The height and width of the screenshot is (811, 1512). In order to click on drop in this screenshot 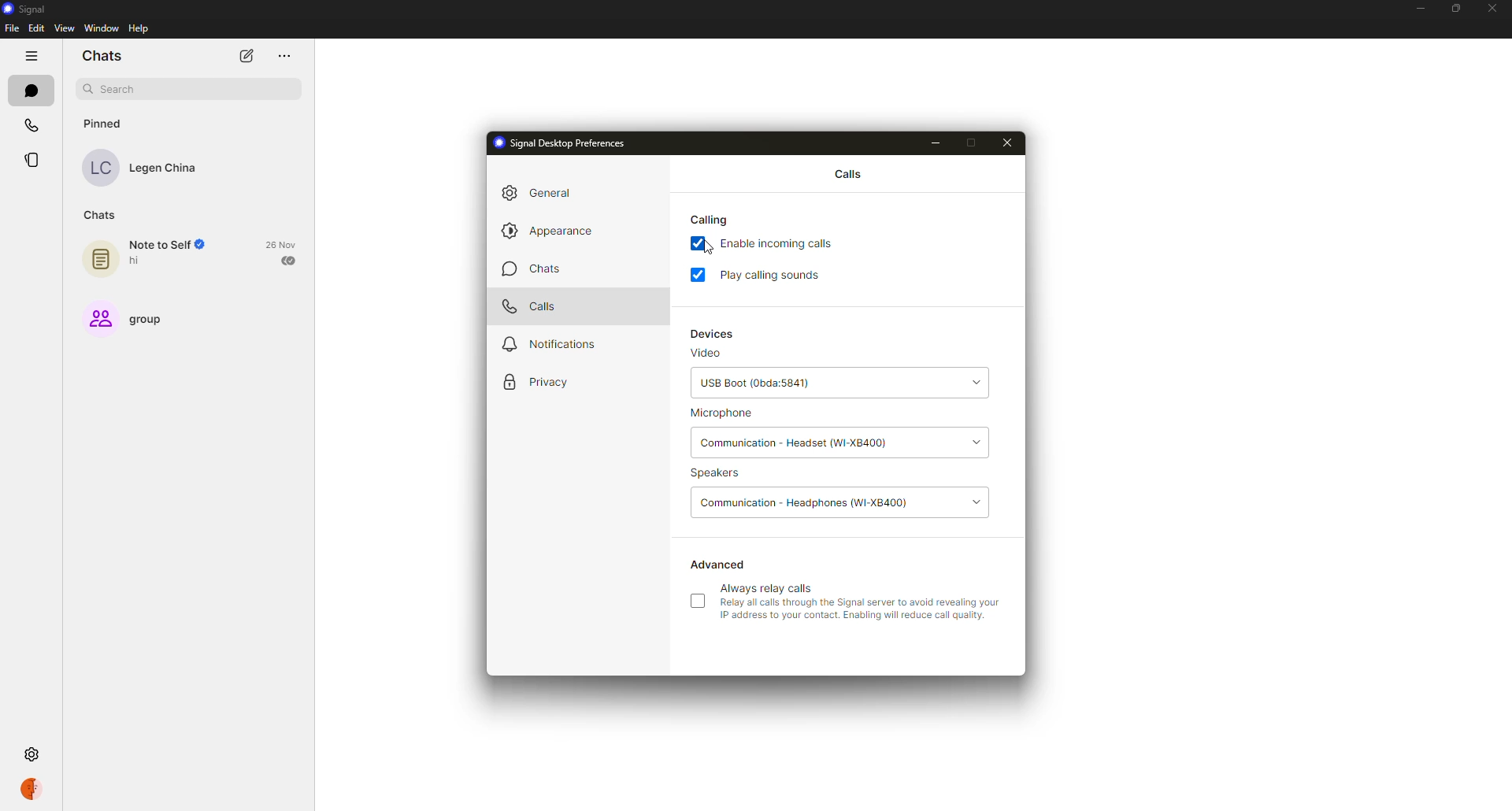, I will do `click(980, 382)`.